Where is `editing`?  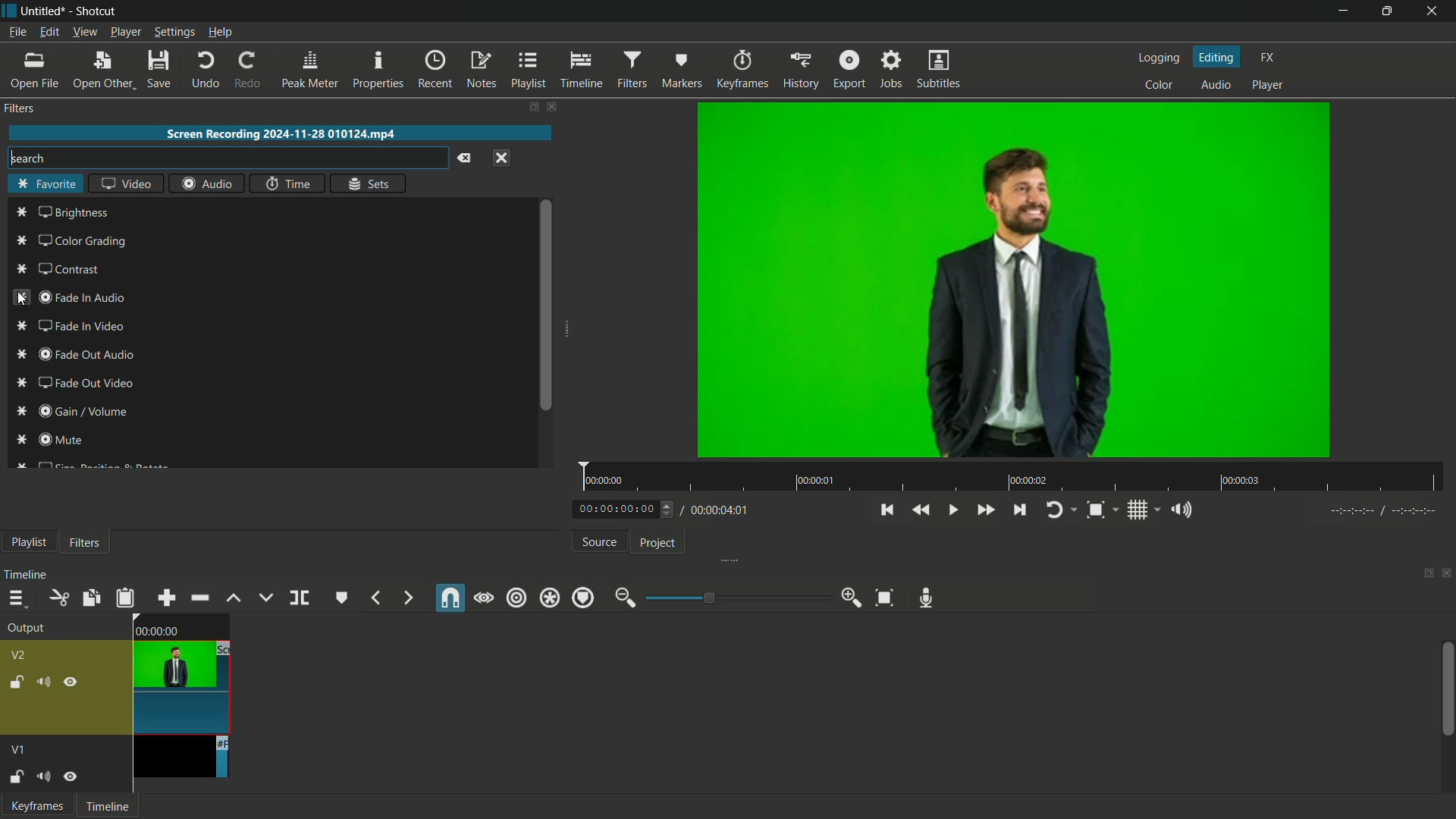 editing is located at coordinates (1216, 56).